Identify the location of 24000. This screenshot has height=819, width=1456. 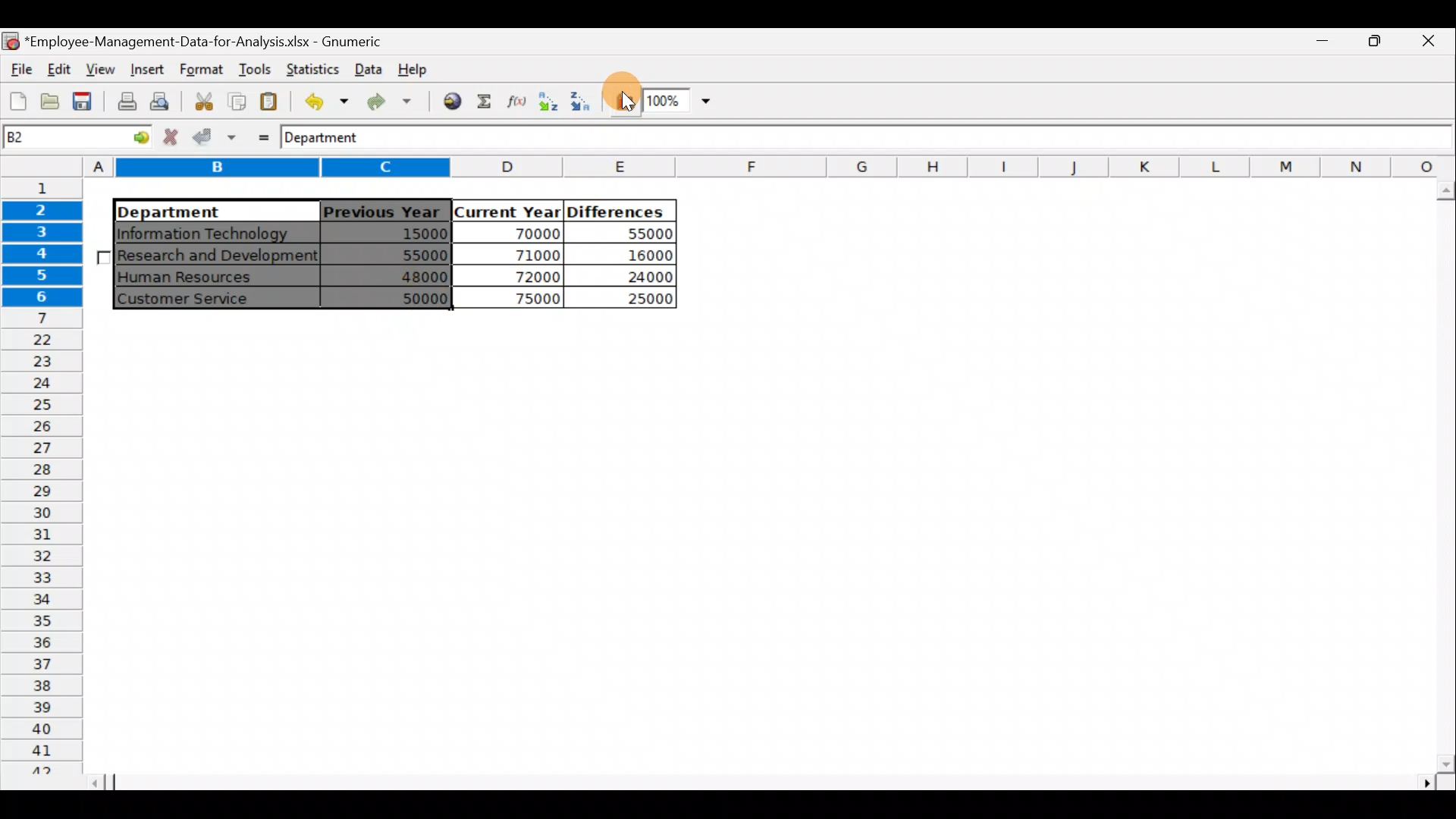
(632, 277).